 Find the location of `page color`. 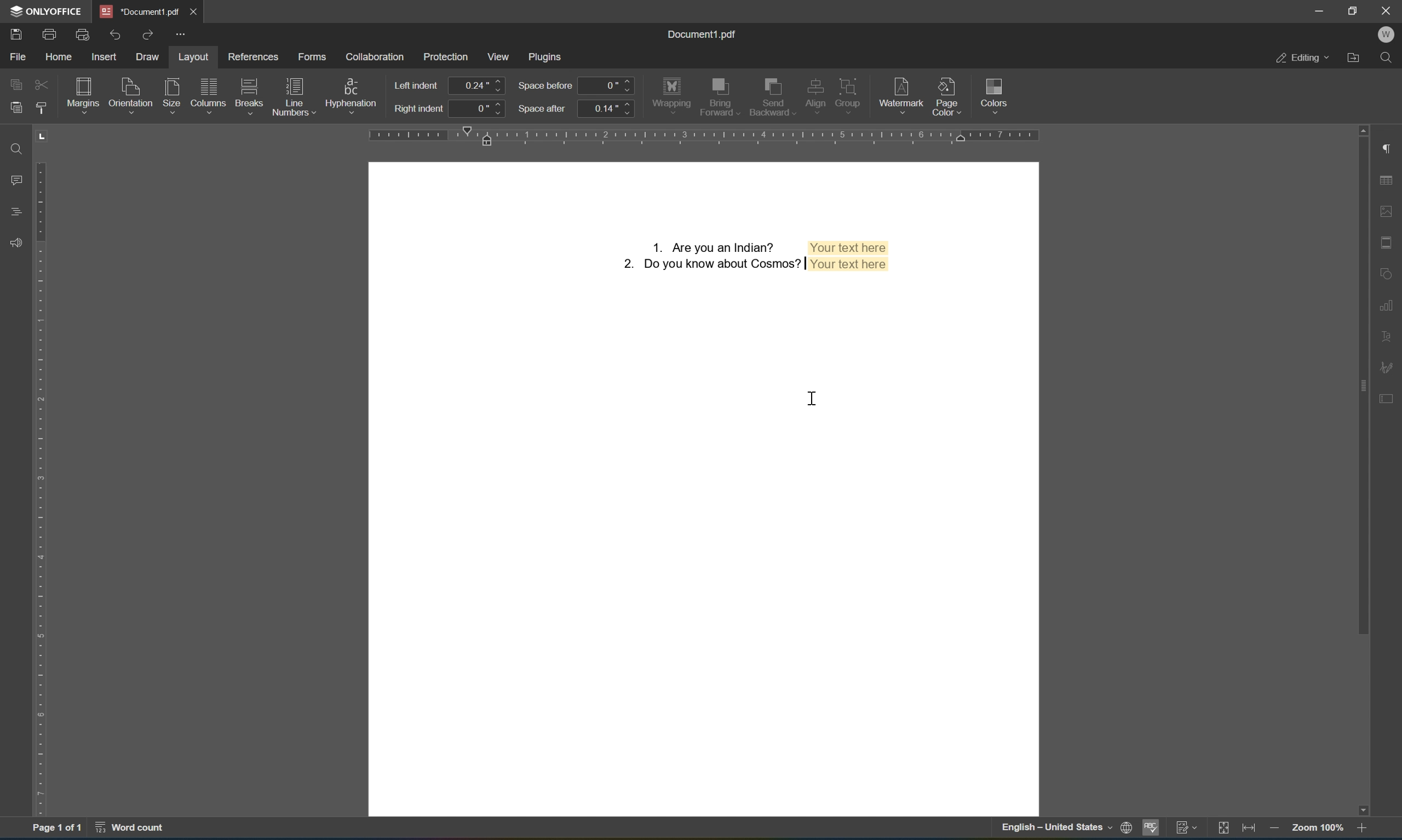

page color is located at coordinates (950, 94).